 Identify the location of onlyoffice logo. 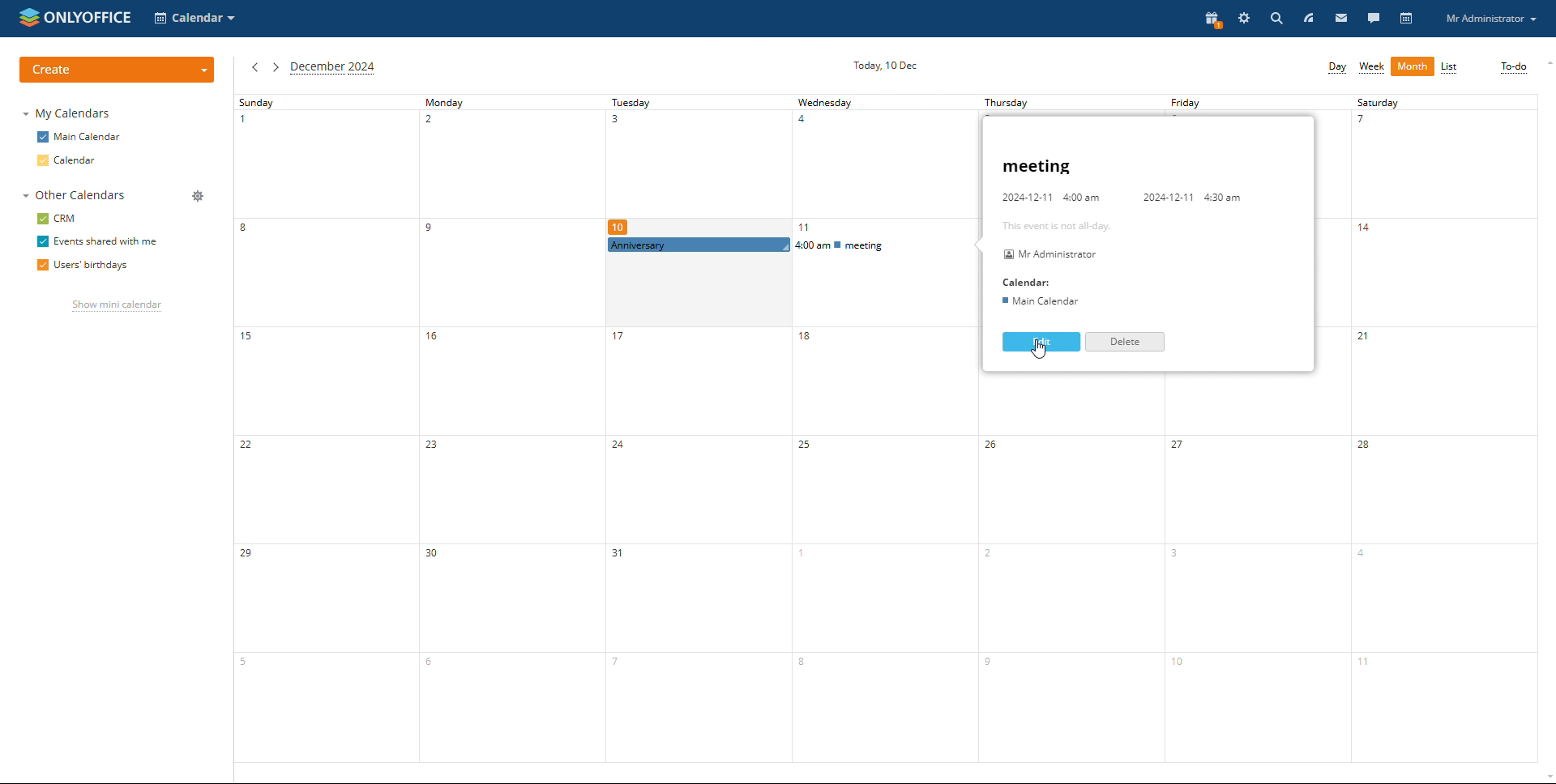
(28, 19).